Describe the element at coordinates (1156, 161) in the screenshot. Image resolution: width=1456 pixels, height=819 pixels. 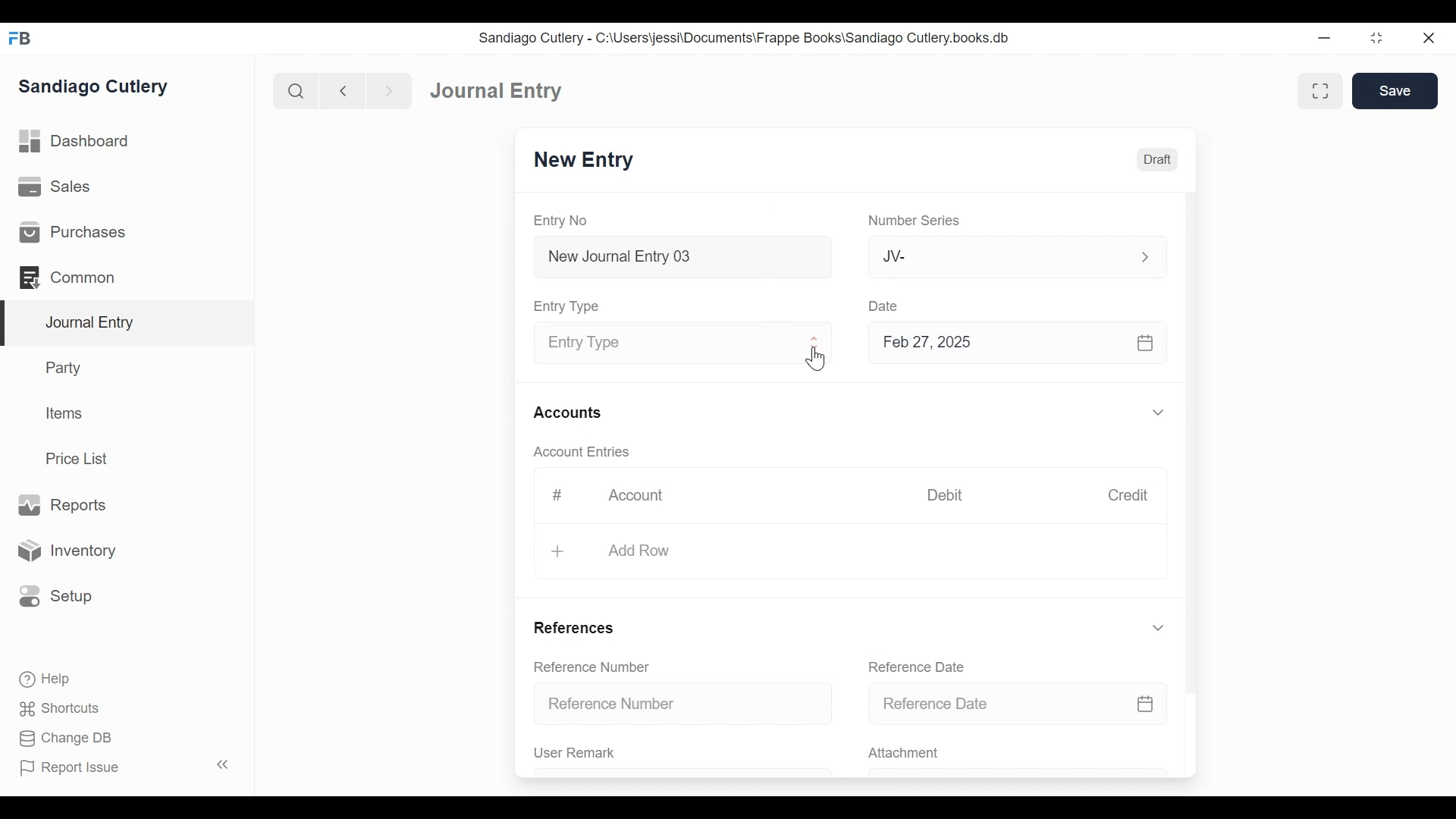
I see `Draft` at that location.